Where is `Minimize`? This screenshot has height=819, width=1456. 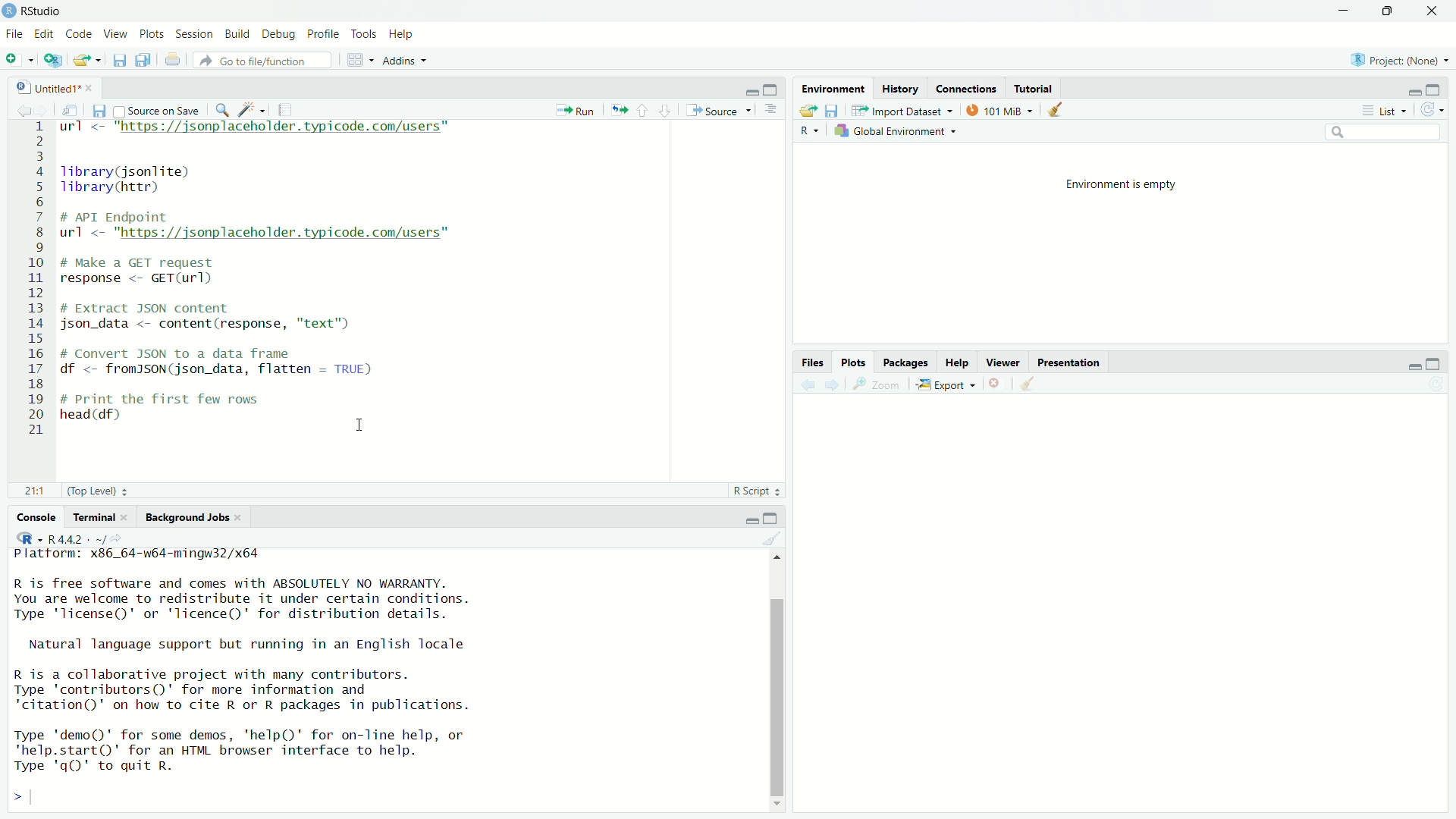
Minimize is located at coordinates (1412, 366).